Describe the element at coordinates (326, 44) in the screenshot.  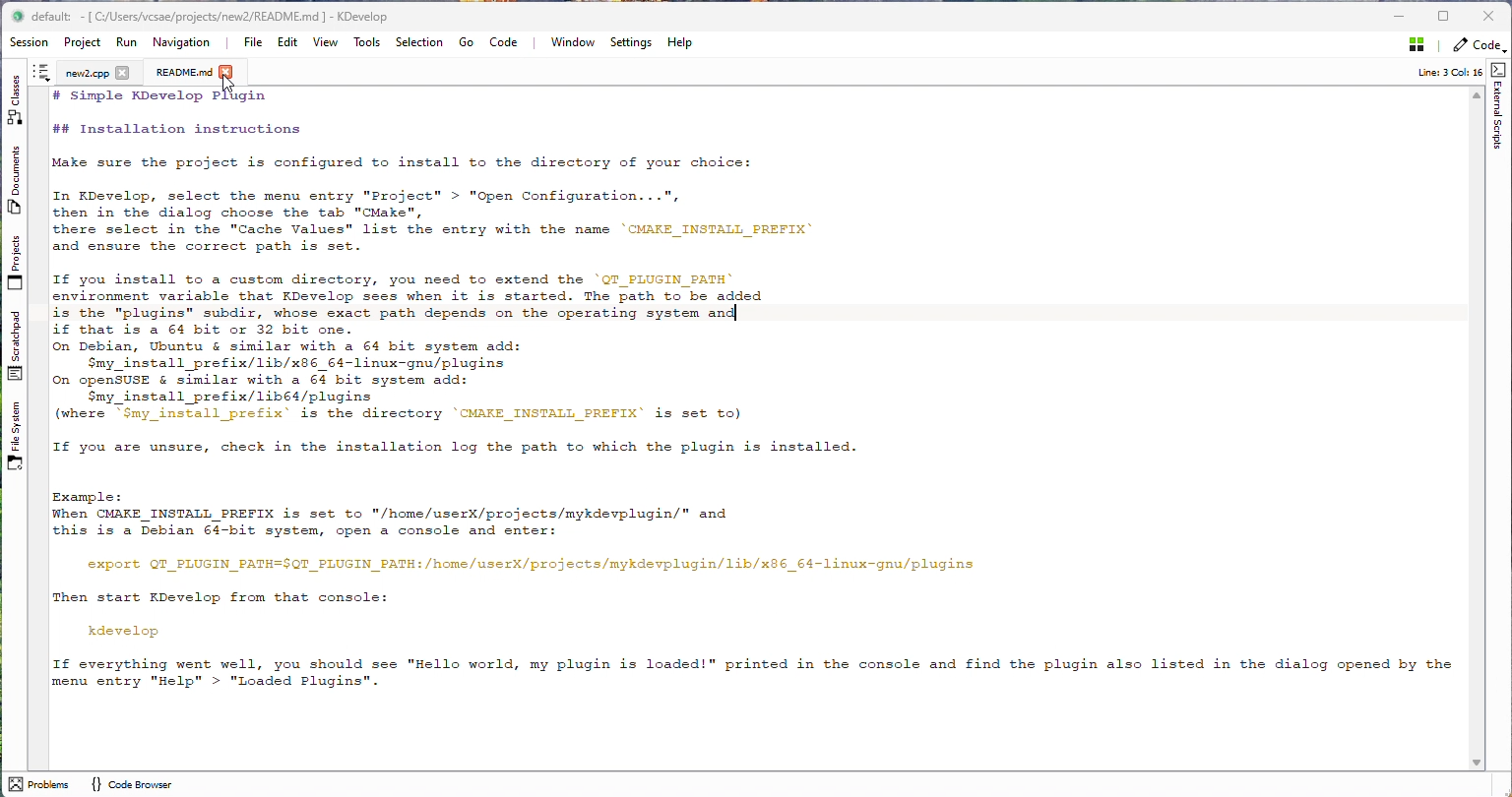
I see `View` at that location.